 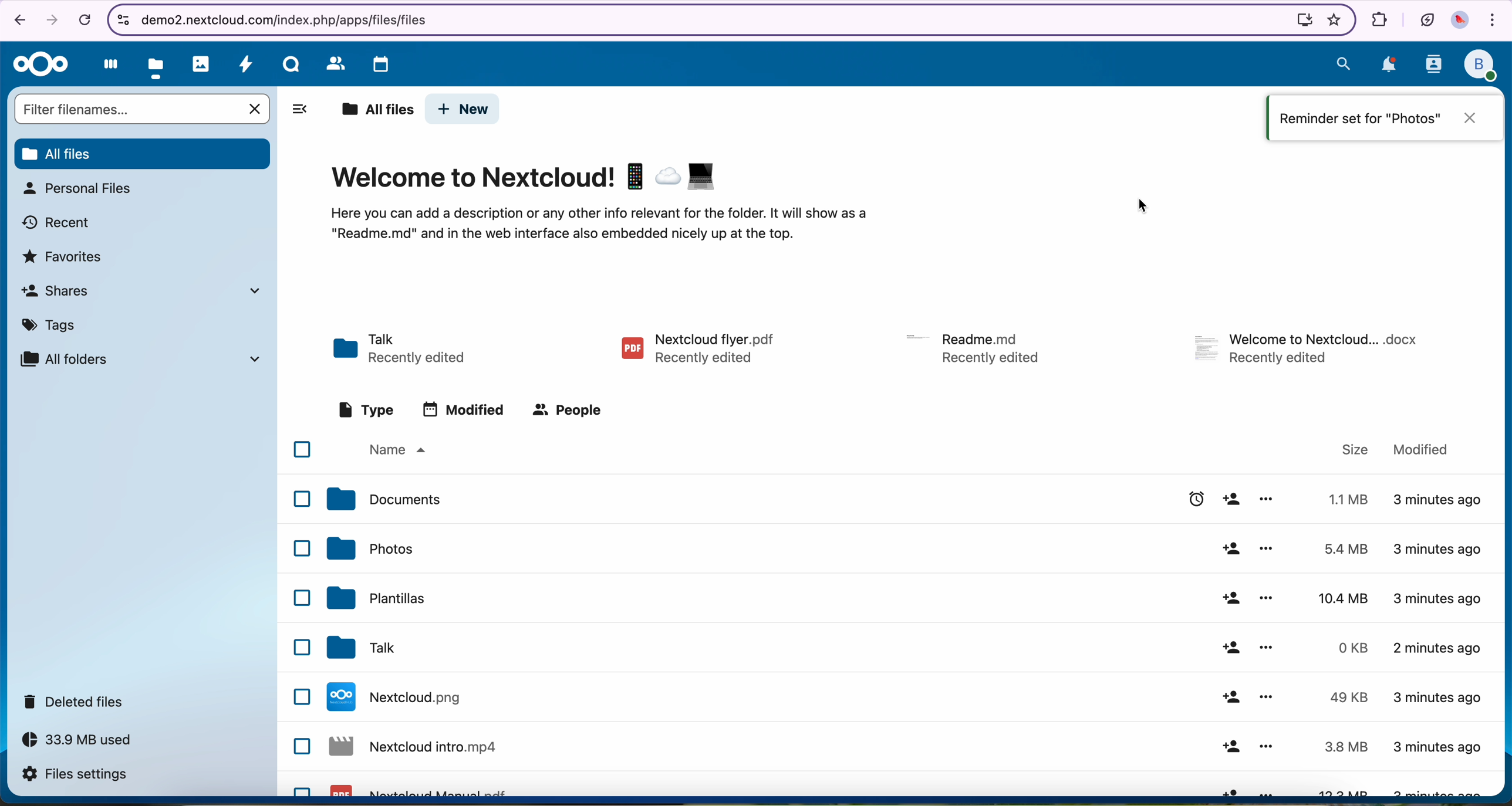 What do you see at coordinates (1232, 788) in the screenshot?
I see `share` at bounding box center [1232, 788].